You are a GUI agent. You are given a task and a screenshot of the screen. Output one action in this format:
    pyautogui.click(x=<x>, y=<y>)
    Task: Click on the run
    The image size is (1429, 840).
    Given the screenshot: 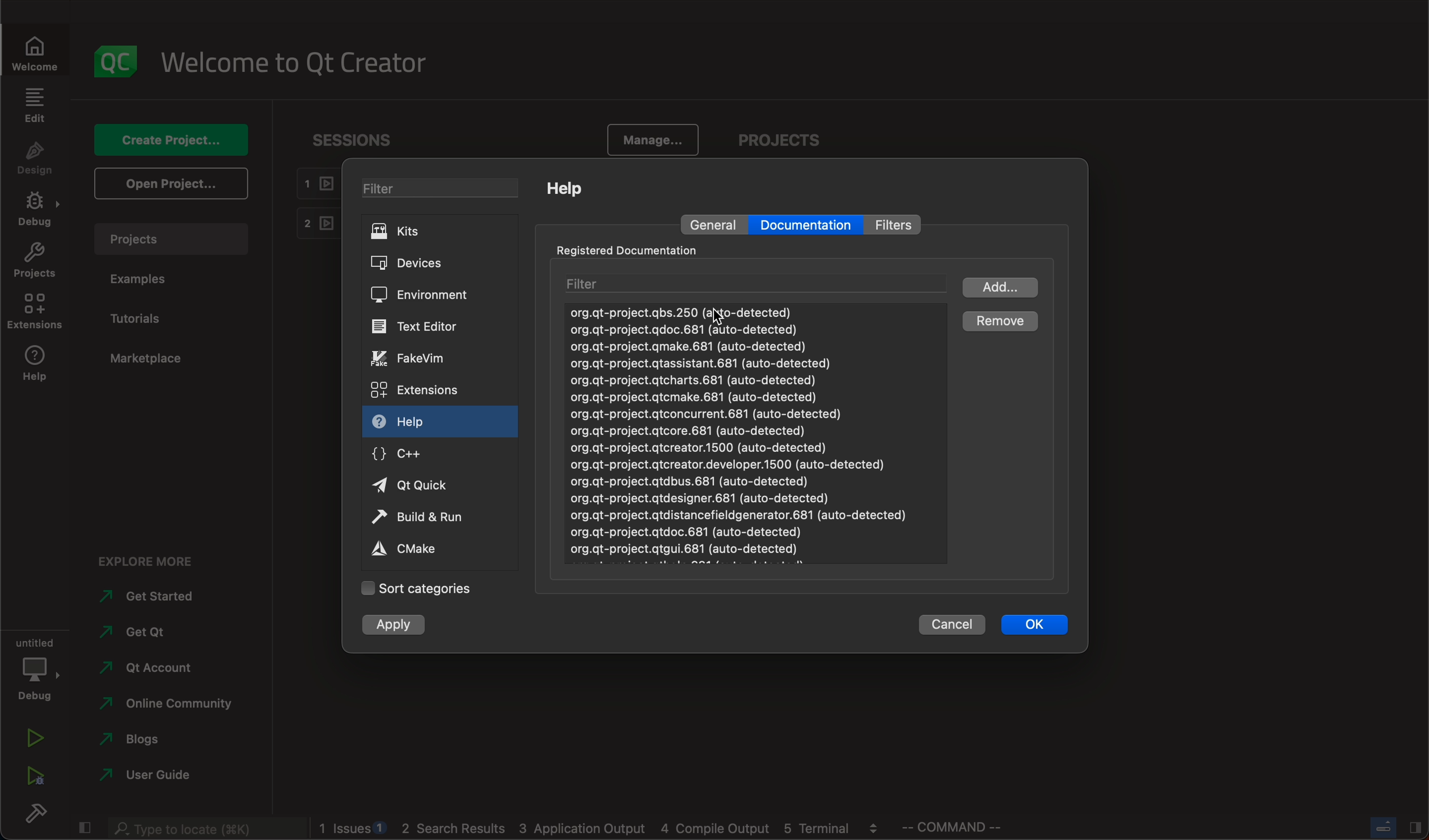 What is the action you would take?
    pyautogui.click(x=35, y=737)
    